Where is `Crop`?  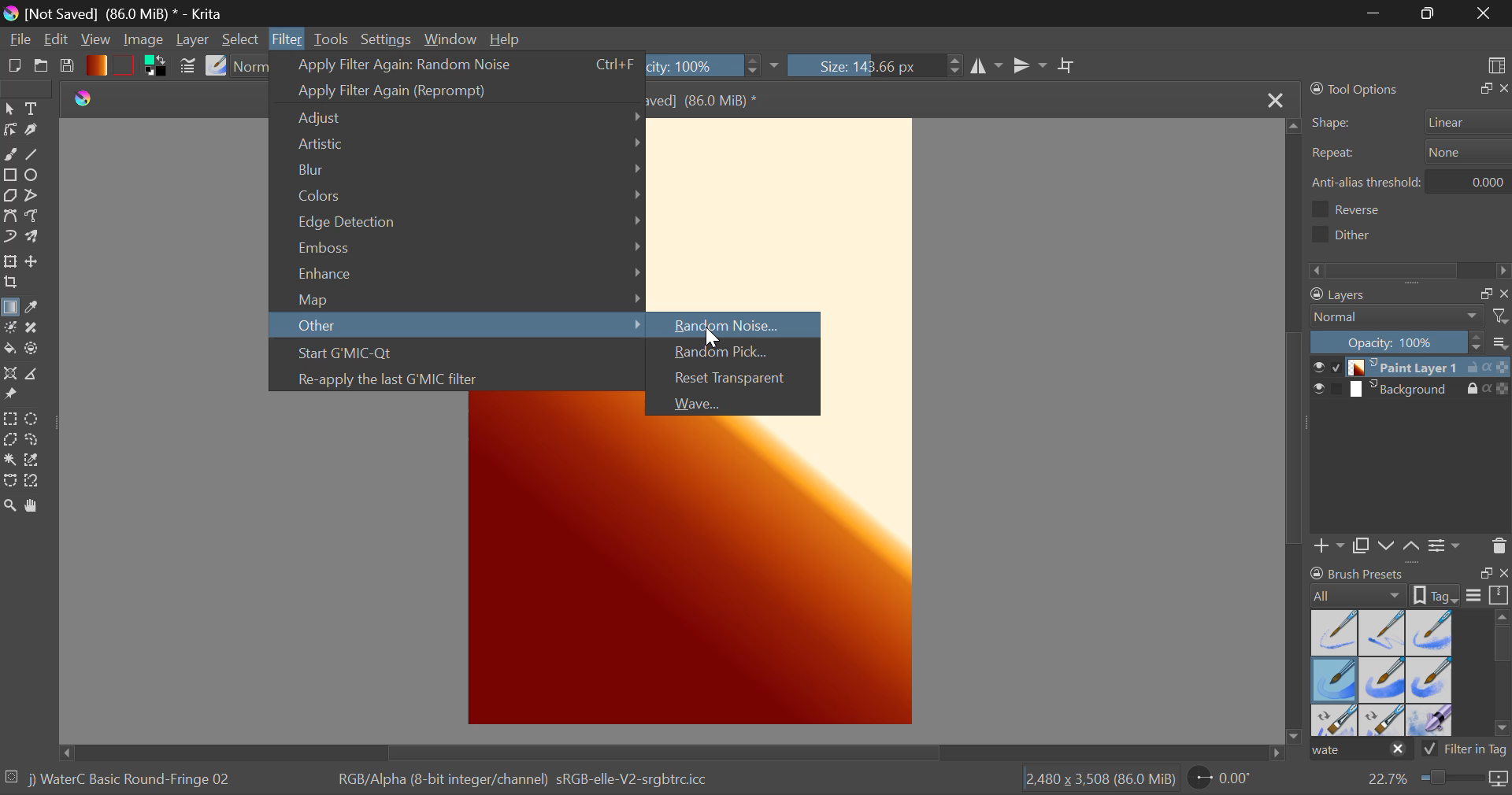 Crop is located at coordinates (10, 284).